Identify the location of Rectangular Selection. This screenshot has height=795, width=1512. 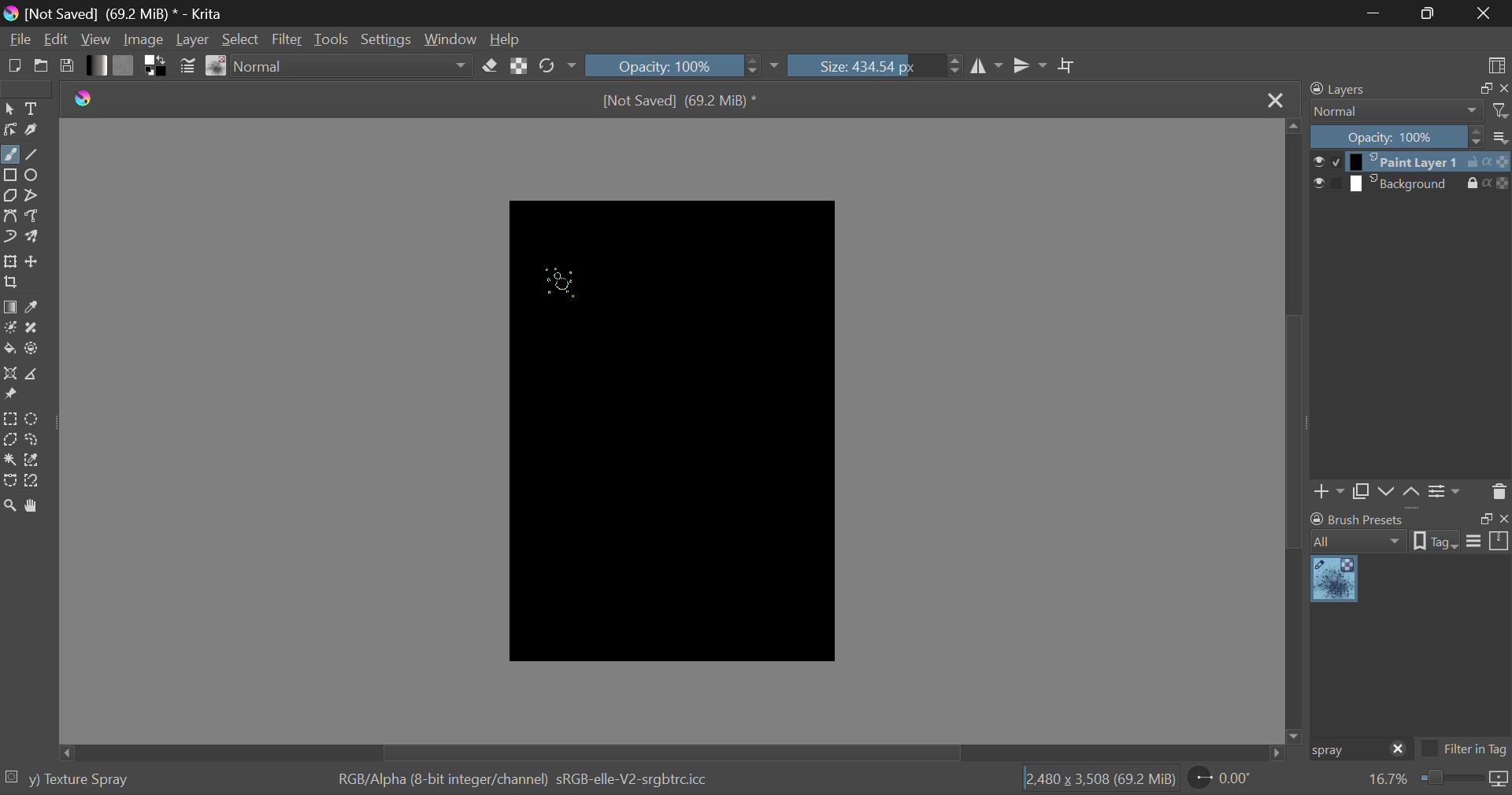
(10, 420).